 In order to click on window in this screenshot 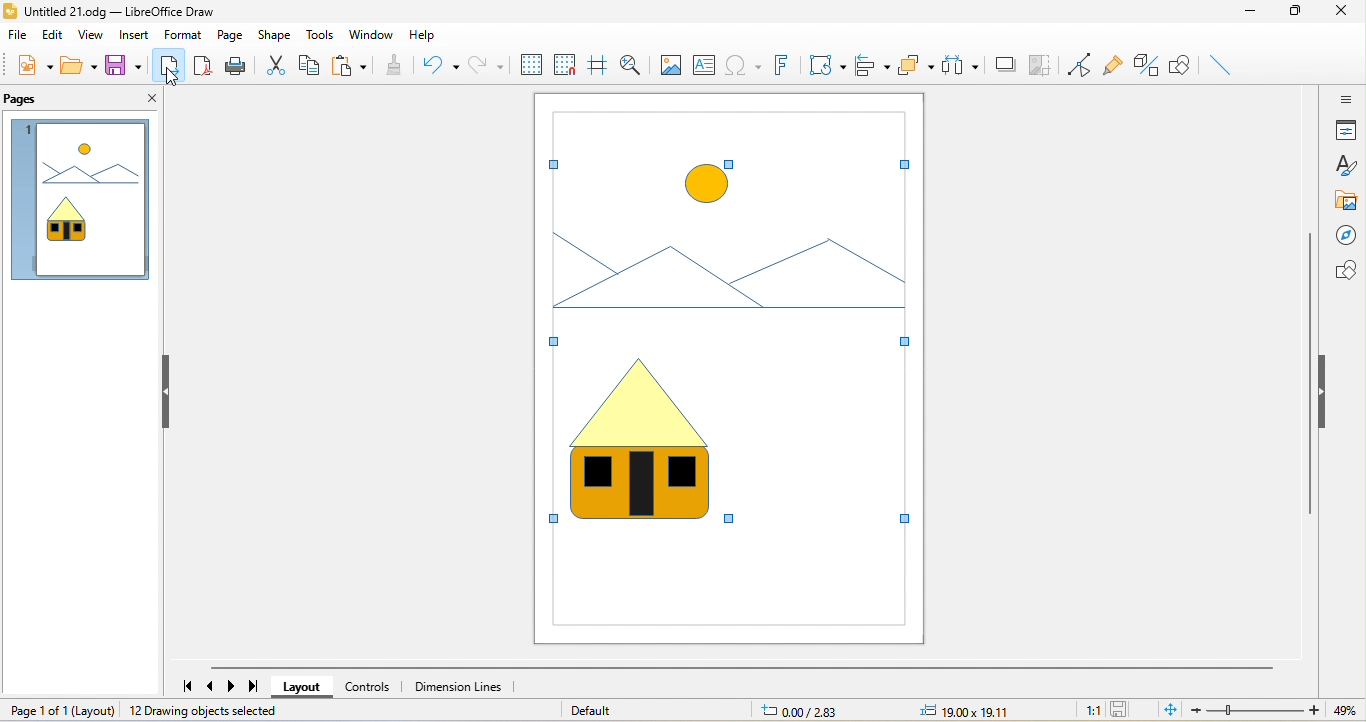, I will do `click(370, 35)`.